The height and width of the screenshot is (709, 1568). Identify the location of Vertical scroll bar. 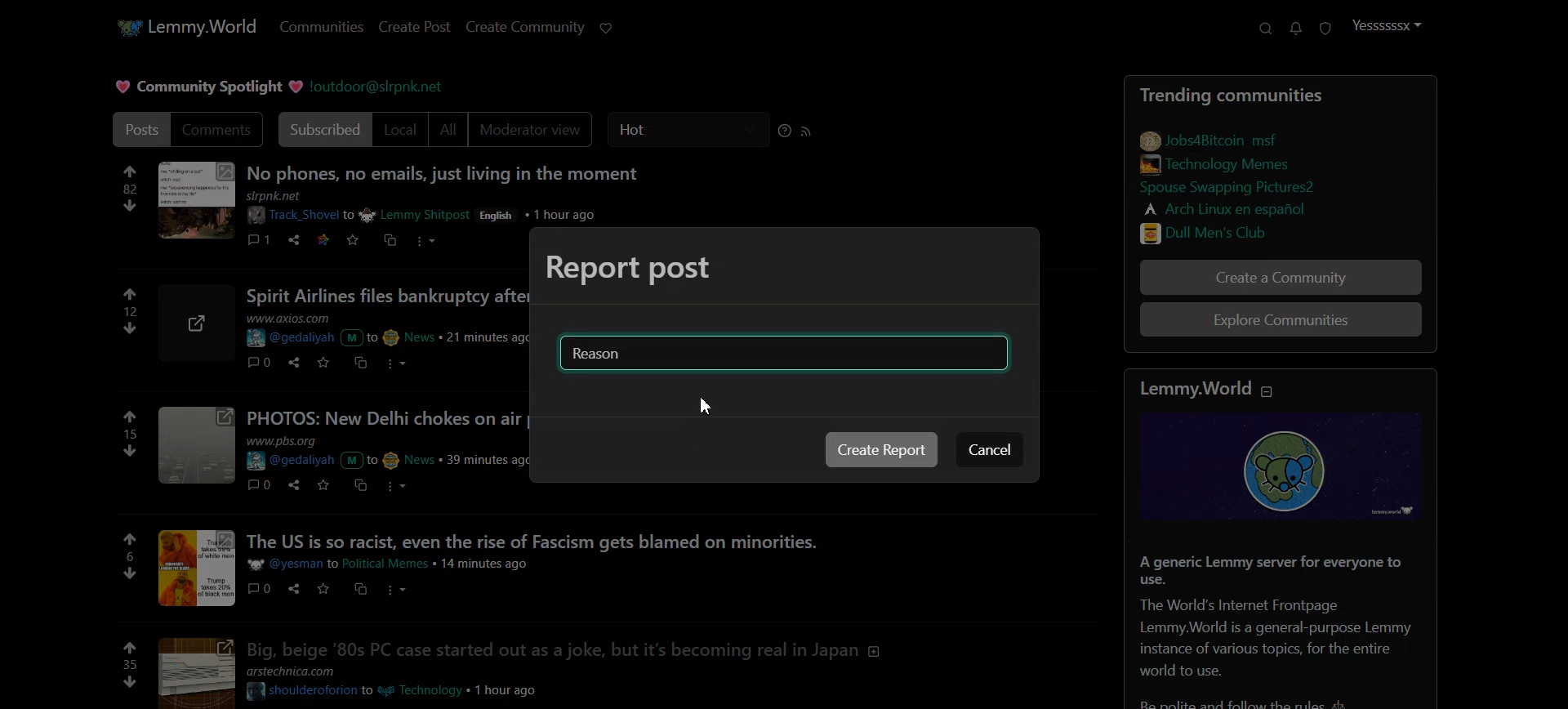
(1558, 354).